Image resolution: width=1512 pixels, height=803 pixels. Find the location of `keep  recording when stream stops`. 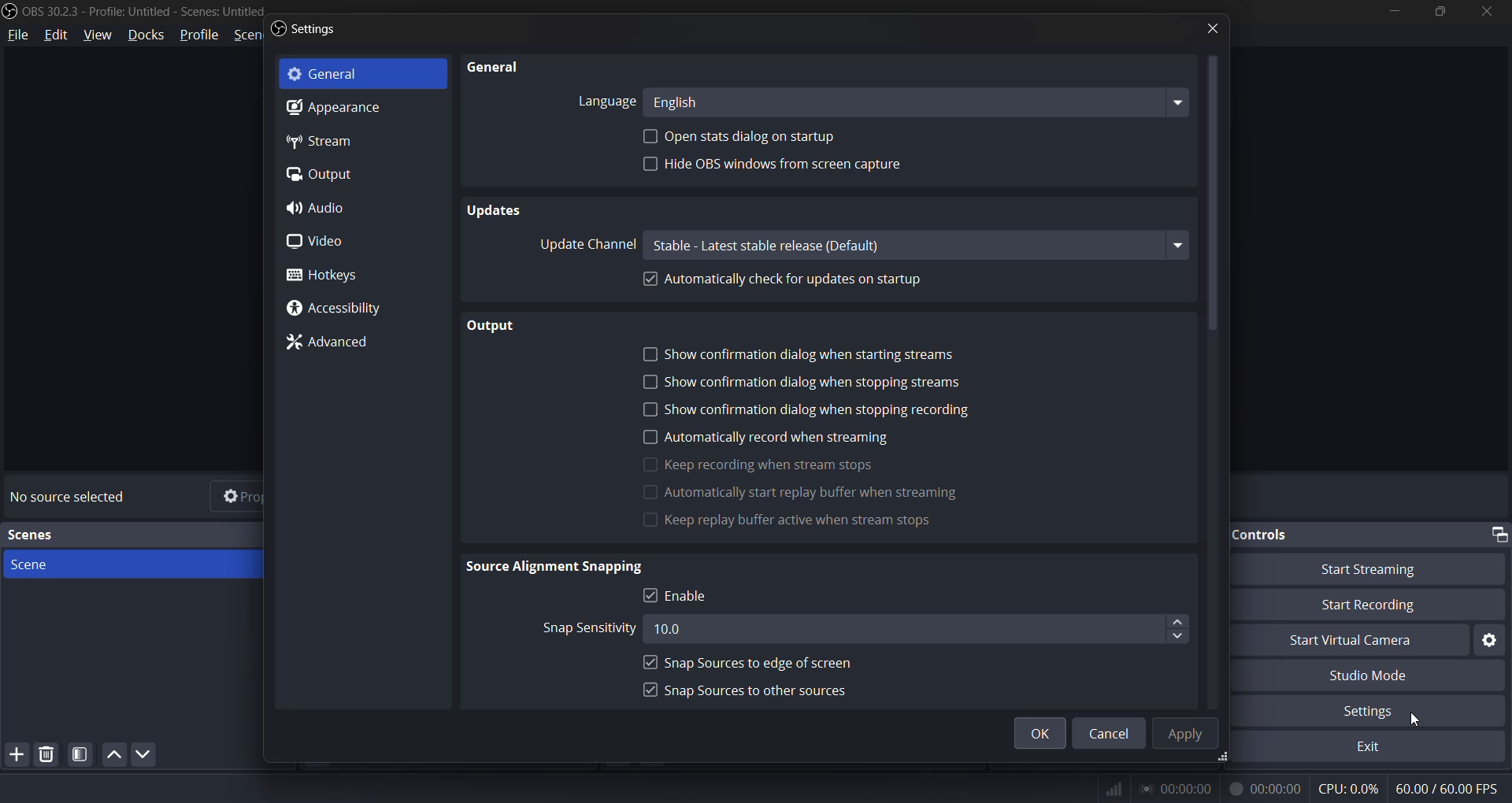

keep  recording when stream stops is located at coordinates (778, 465).